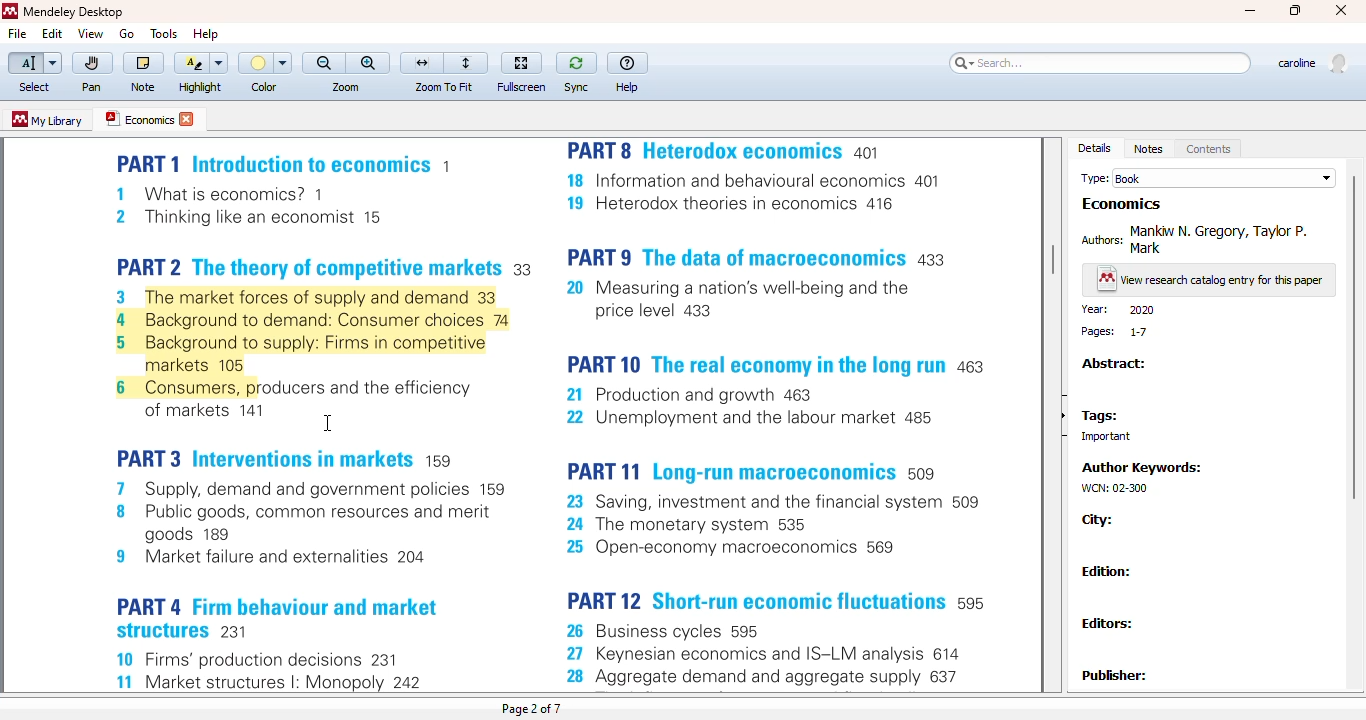 This screenshot has height=720, width=1366. Describe the element at coordinates (143, 87) in the screenshot. I see `note` at that location.